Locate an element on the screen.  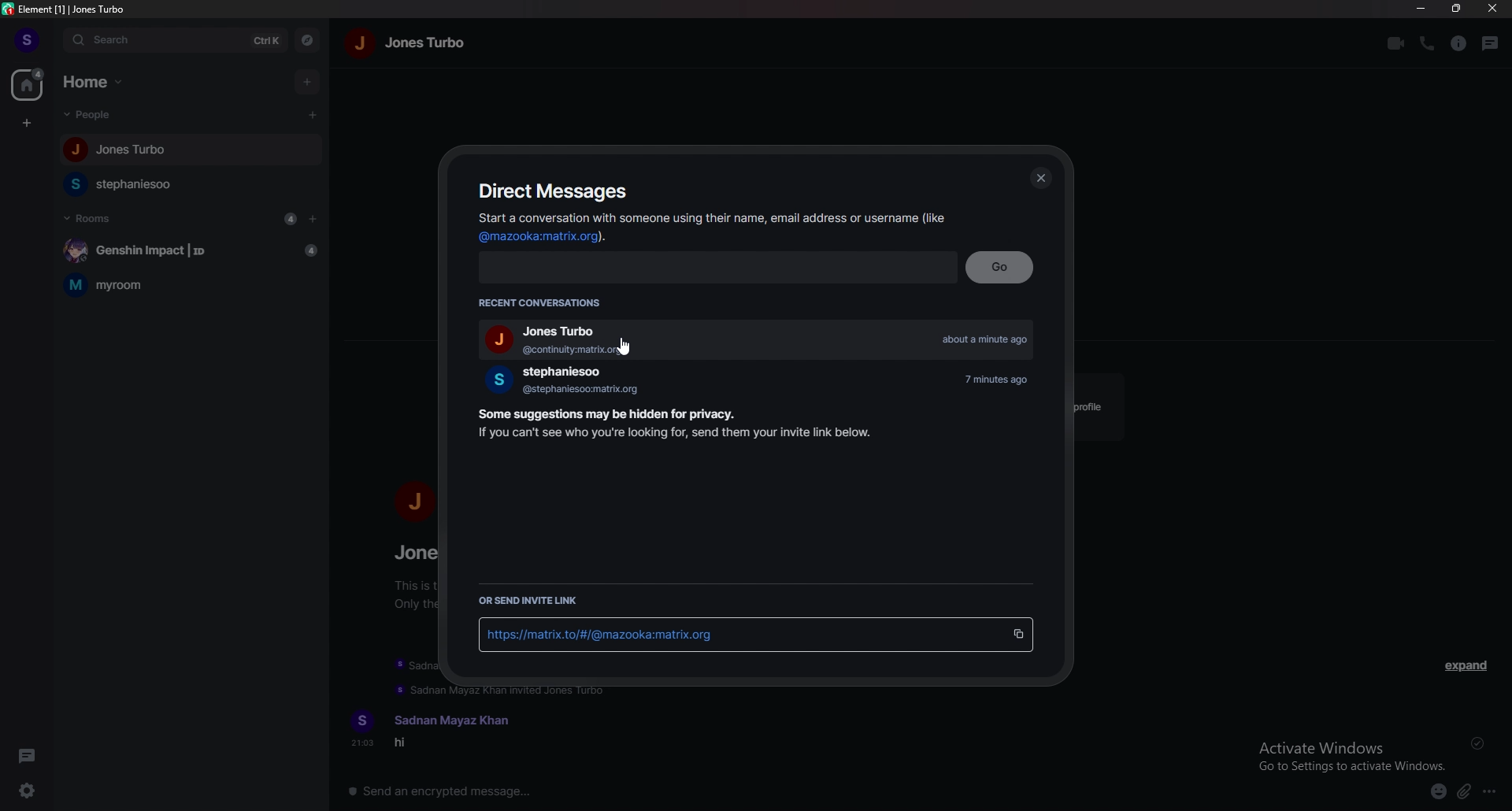
threads is located at coordinates (29, 754).